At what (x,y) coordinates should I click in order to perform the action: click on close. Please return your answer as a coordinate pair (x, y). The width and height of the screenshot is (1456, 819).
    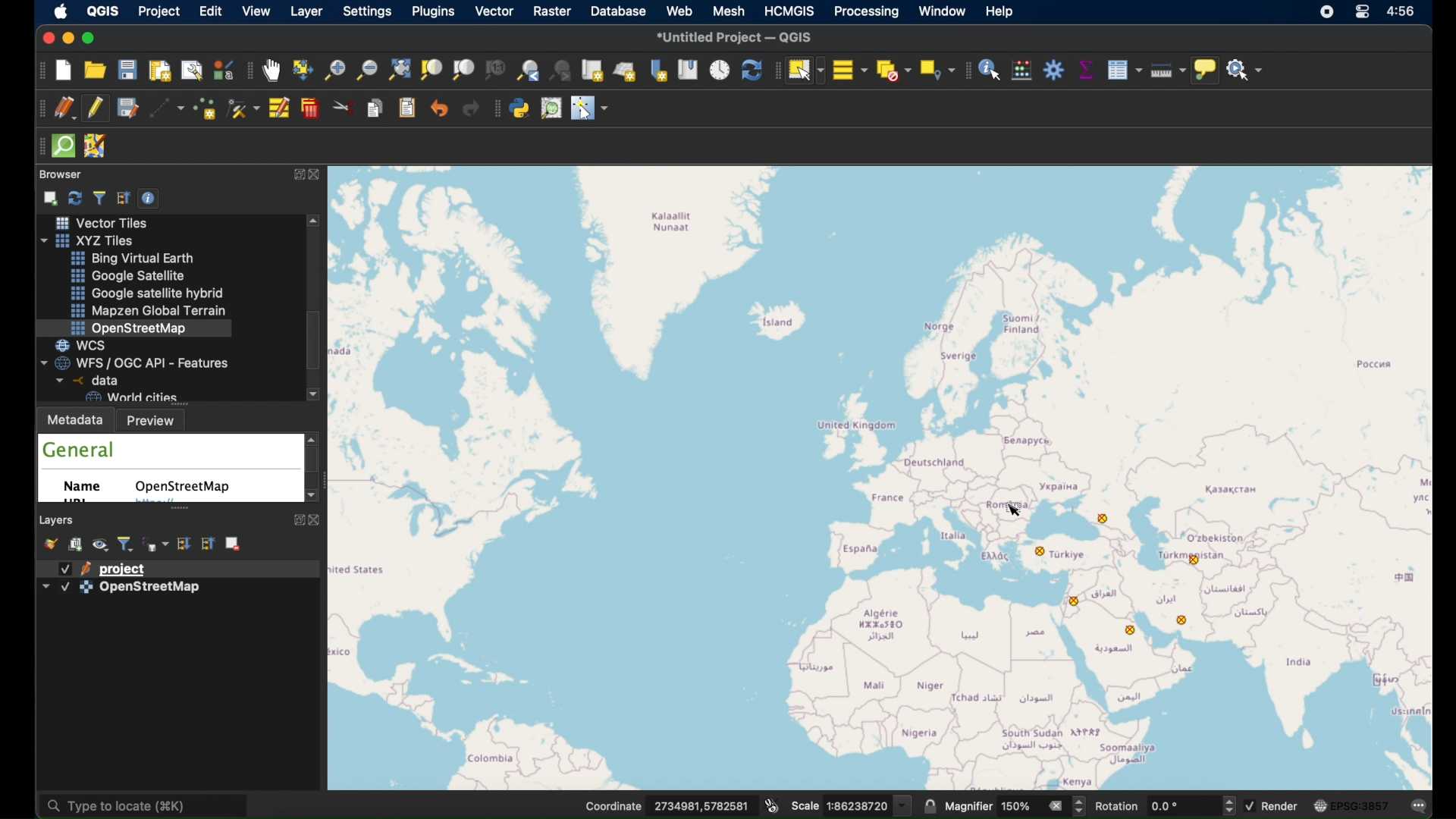
    Looking at the image, I should click on (320, 174).